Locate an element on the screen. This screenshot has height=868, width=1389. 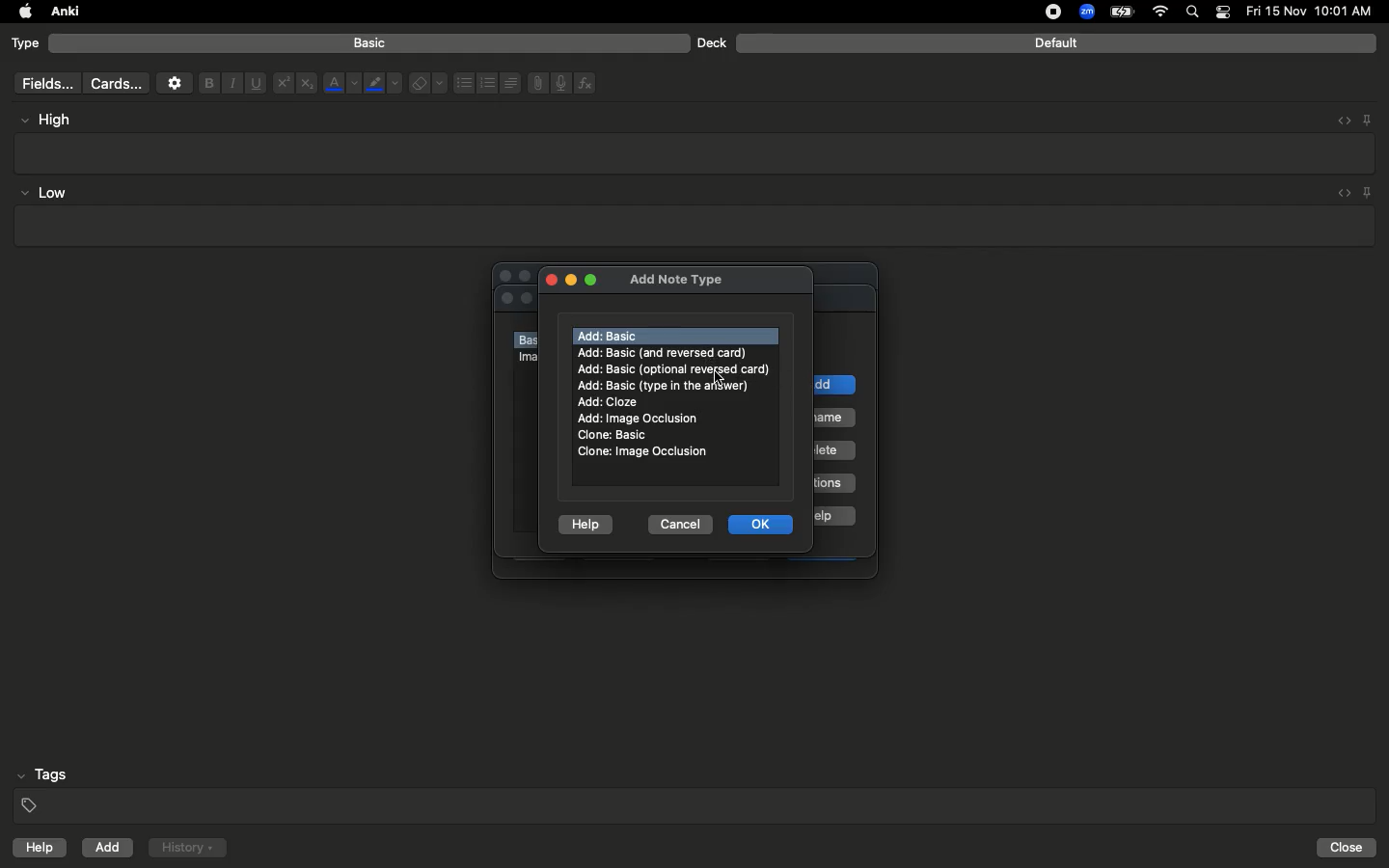
Font color is located at coordinates (340, 83).